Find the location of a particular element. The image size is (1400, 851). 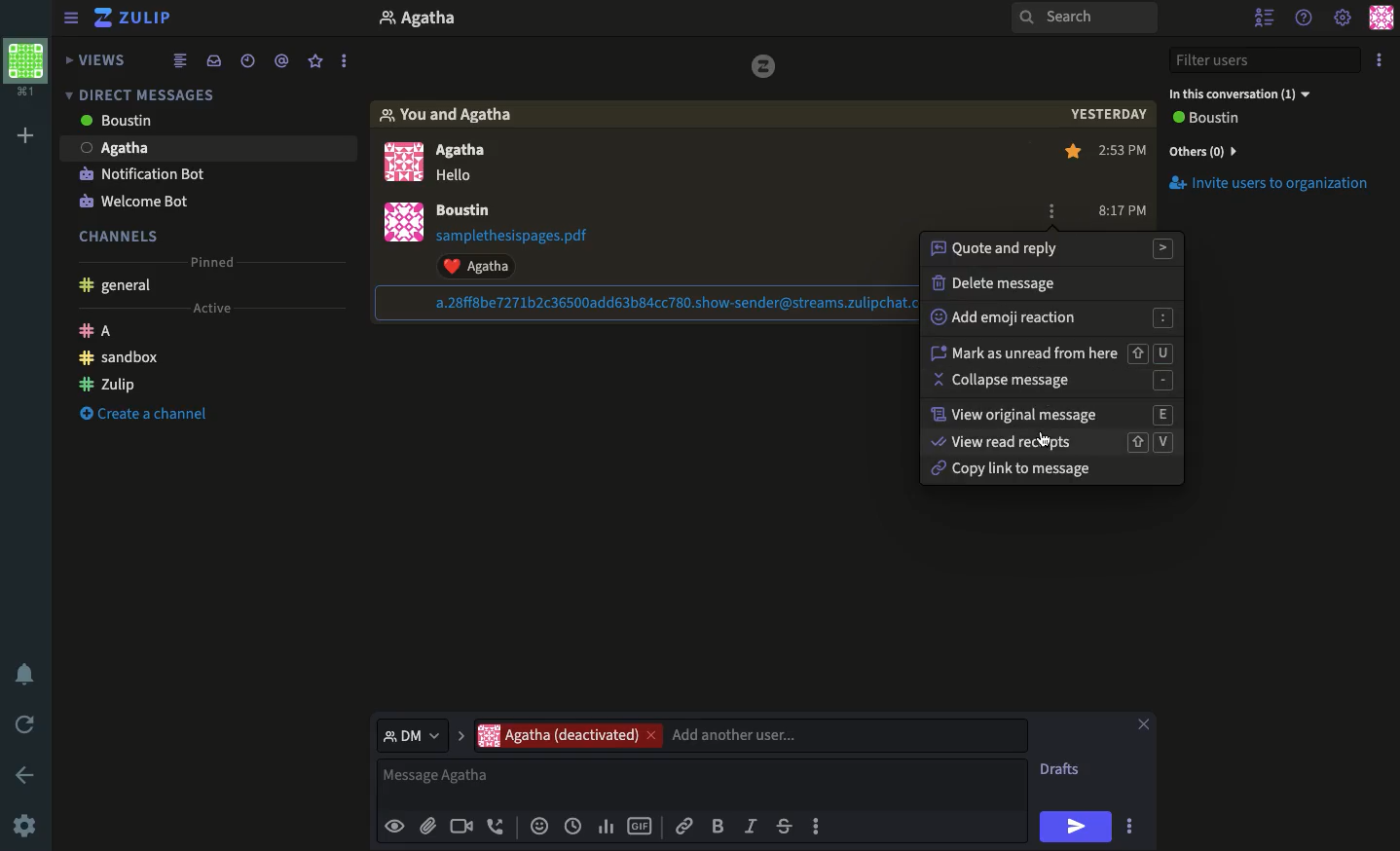

General is located at coordinates (119, 287).